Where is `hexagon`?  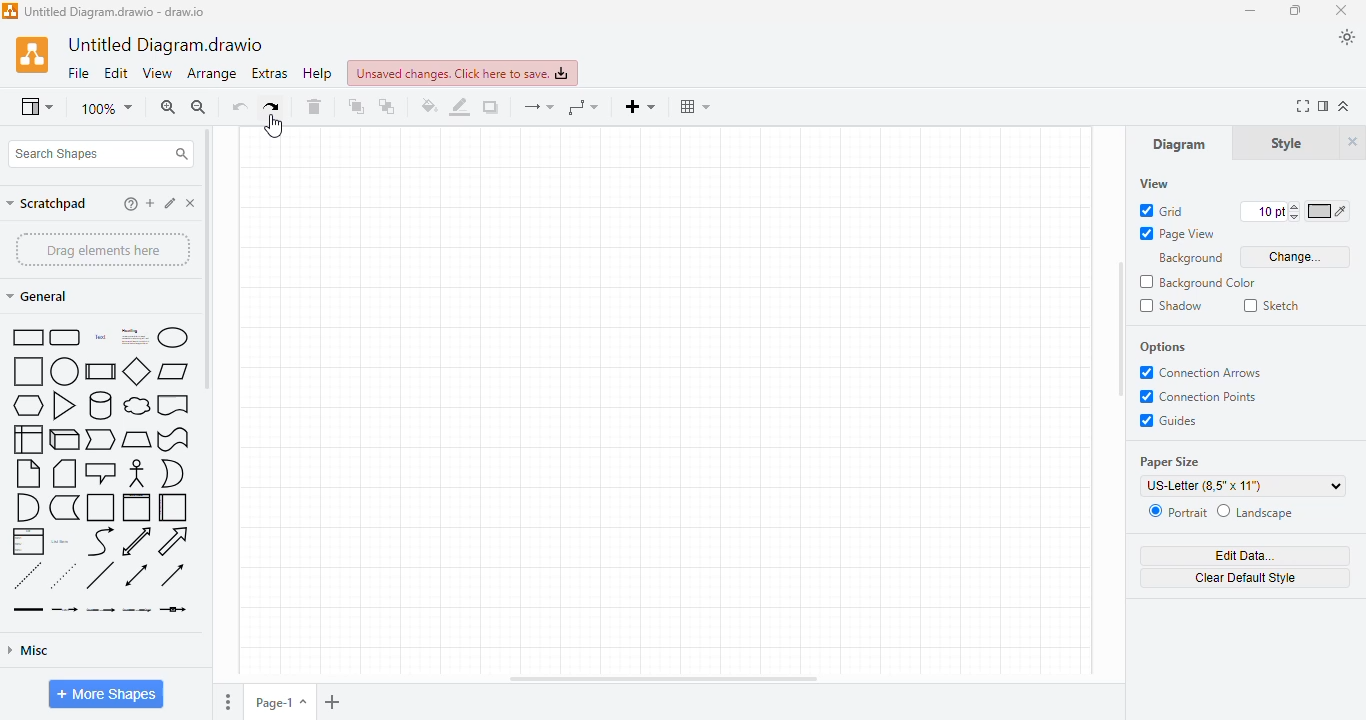 hexagon is located at coordinates (28, 406).